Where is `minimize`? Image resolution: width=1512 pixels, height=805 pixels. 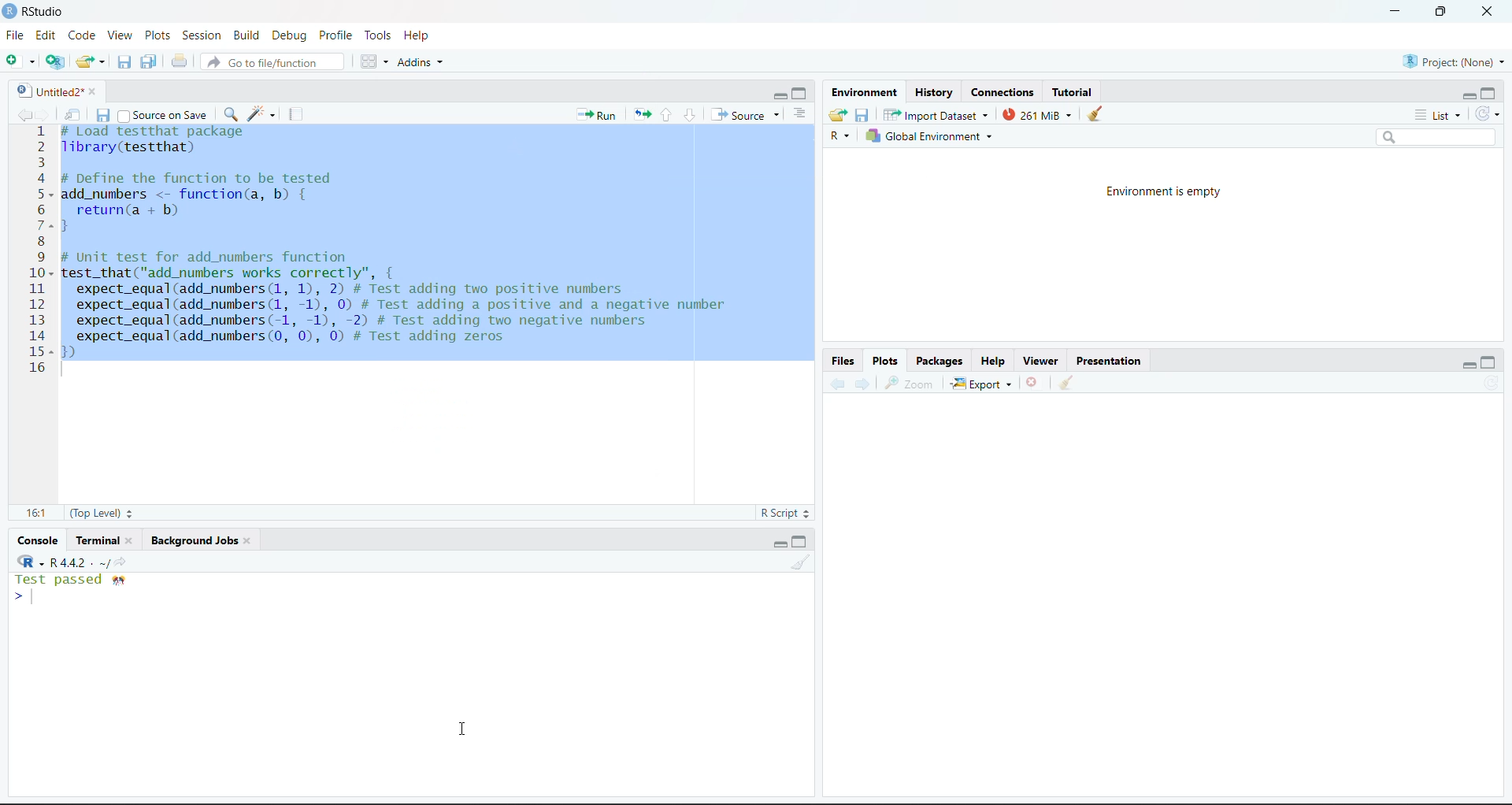 minimize is located at coordinates (779, 543).